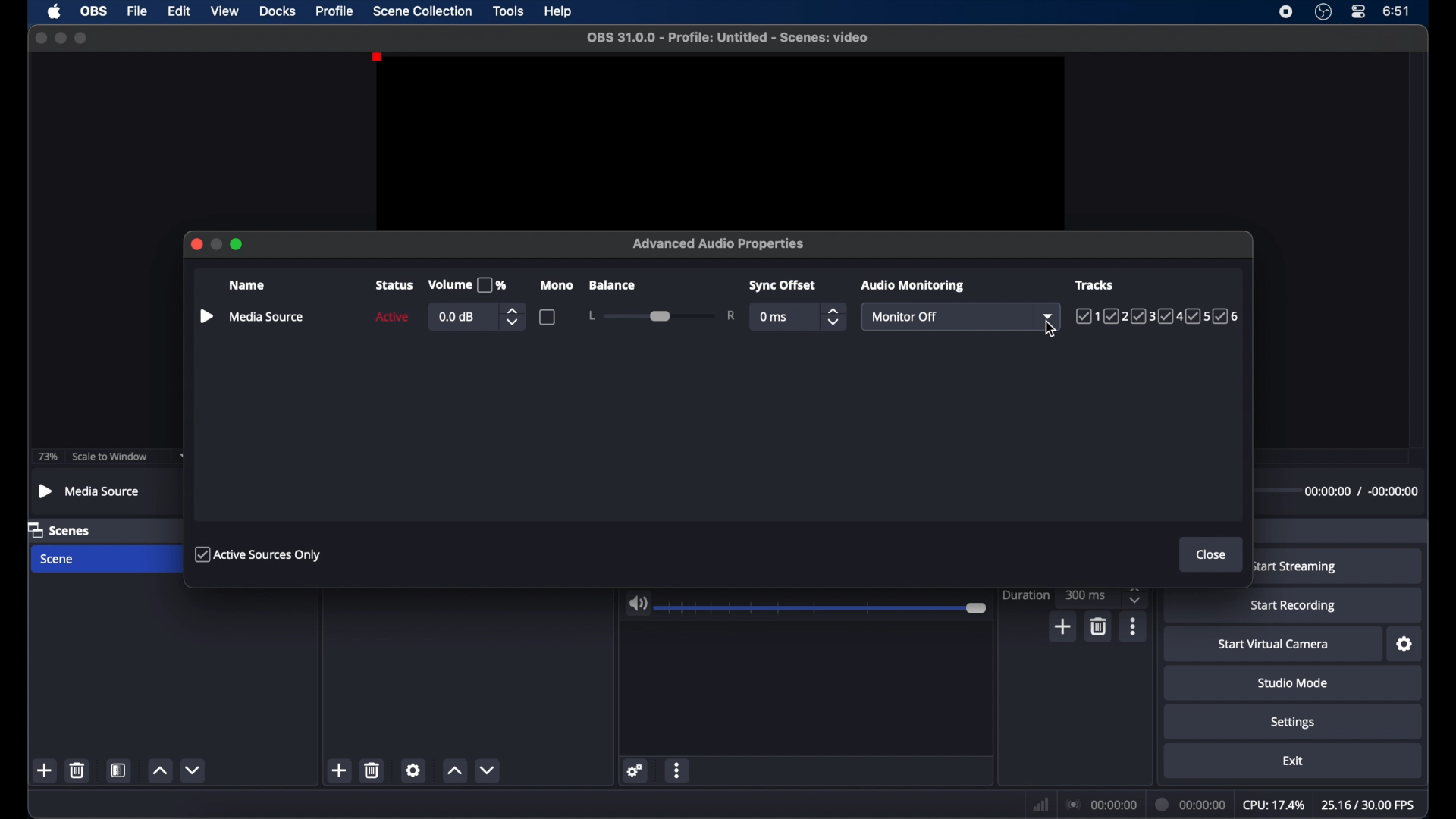  What do you see at coordinates (110, 457) in the screenshot?
I see `scale to window` at bounding box center [110, 457].